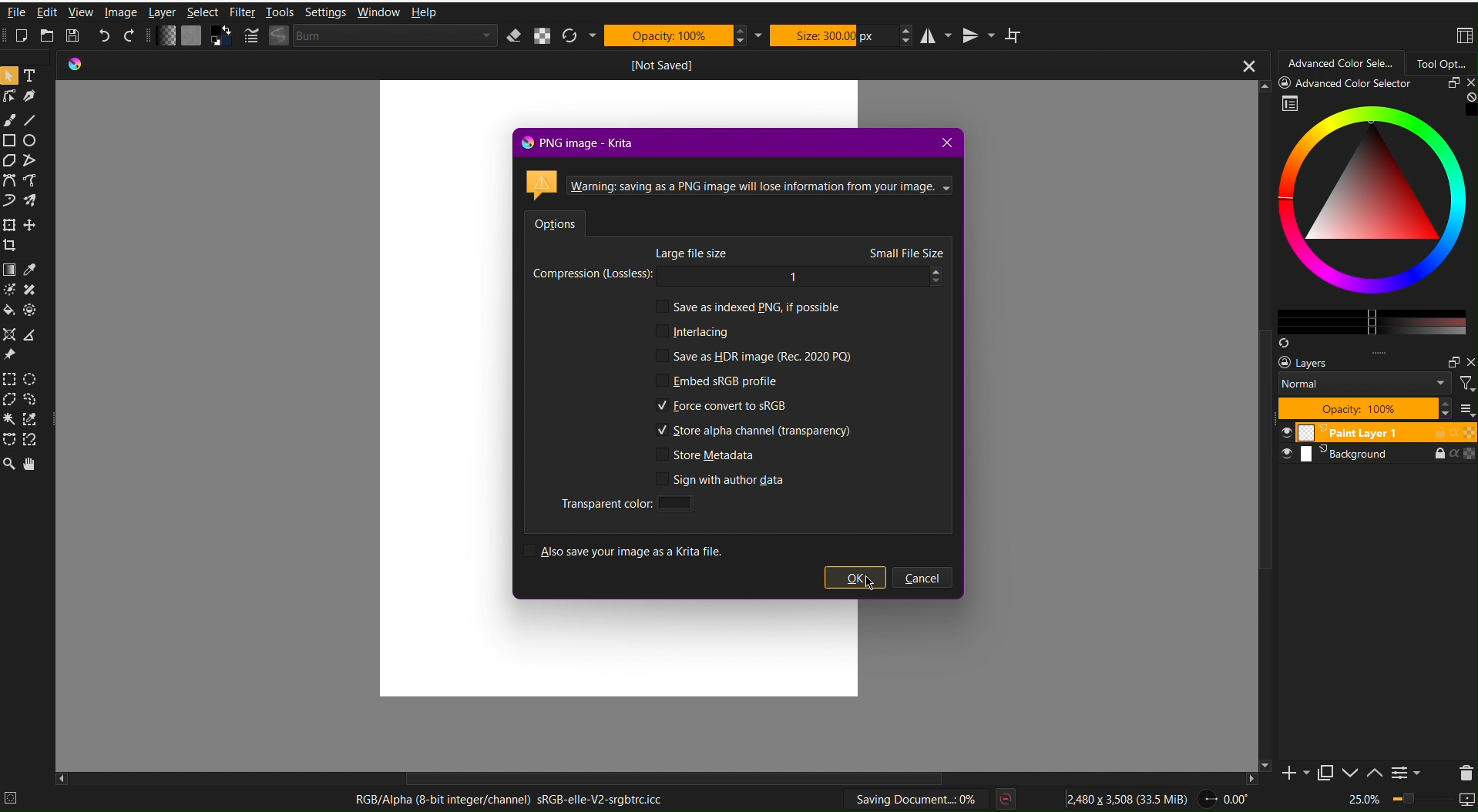 This screenshot has width=1478, height=812. I want to click on Text, so click(32, 77).